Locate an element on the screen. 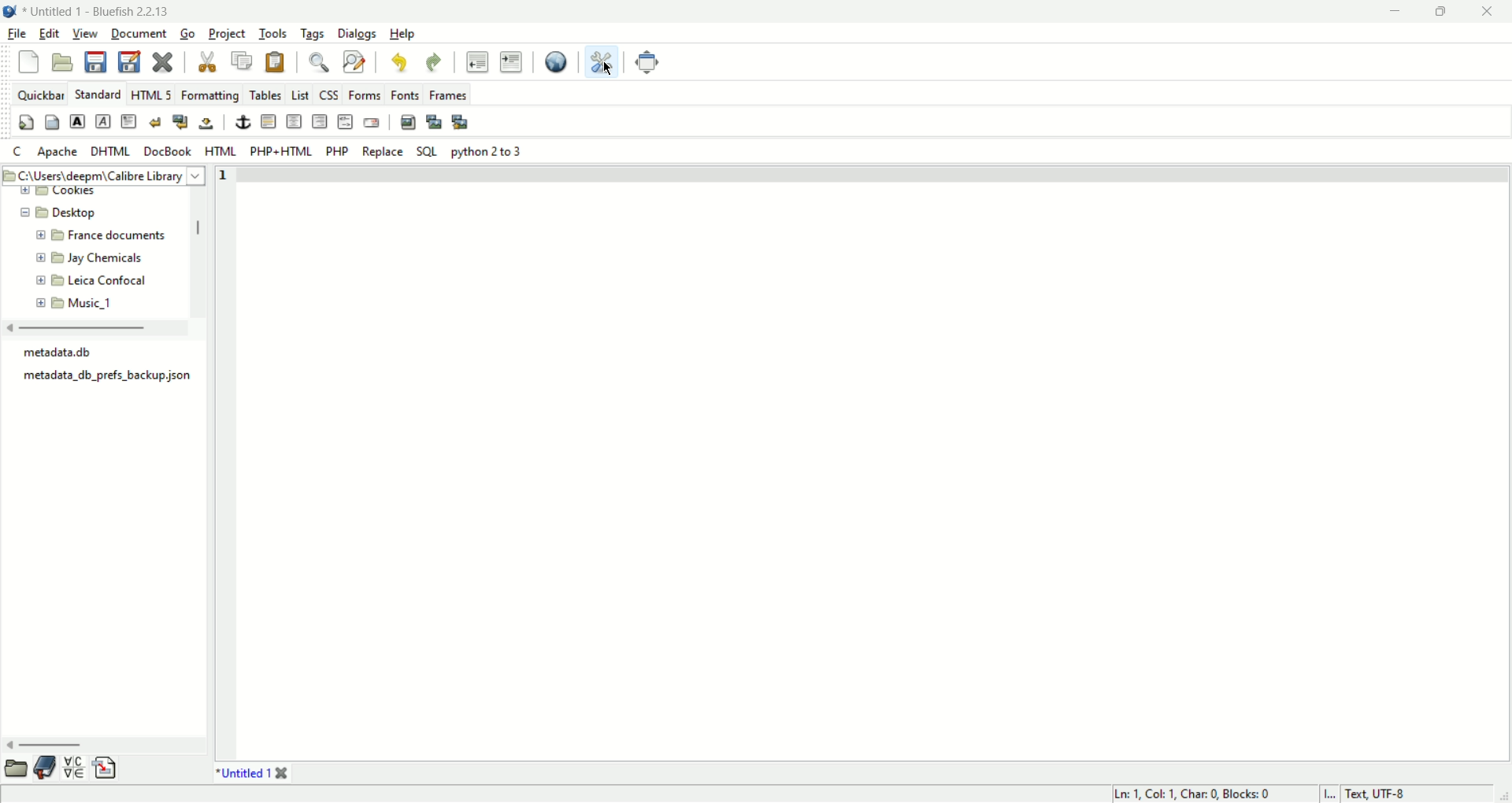 This screenshot has height=803, width=1512. emphasis is located at coordinates (102, 122).